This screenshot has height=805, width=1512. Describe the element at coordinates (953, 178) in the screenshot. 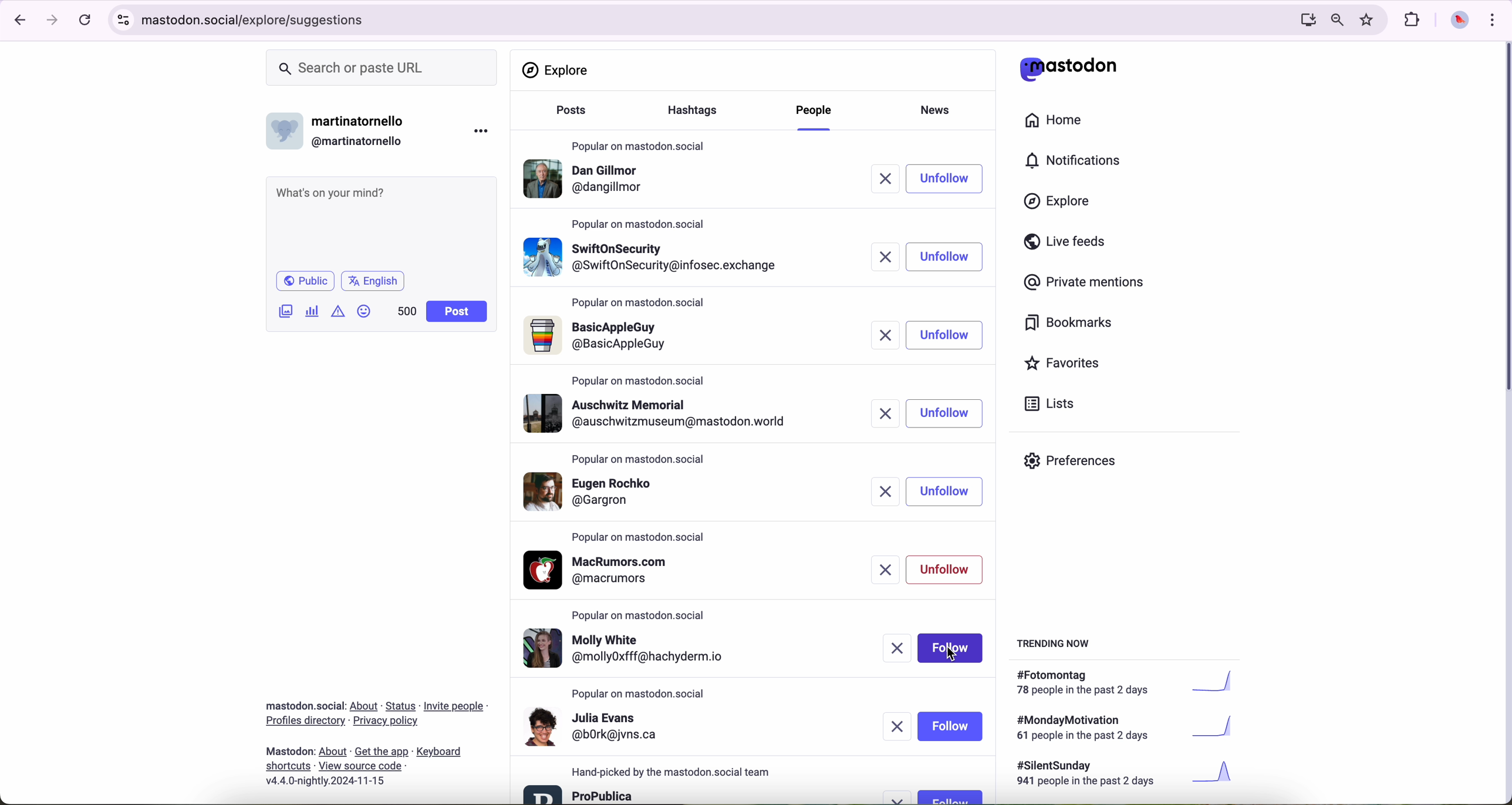

I see `click on follow button` at that location.